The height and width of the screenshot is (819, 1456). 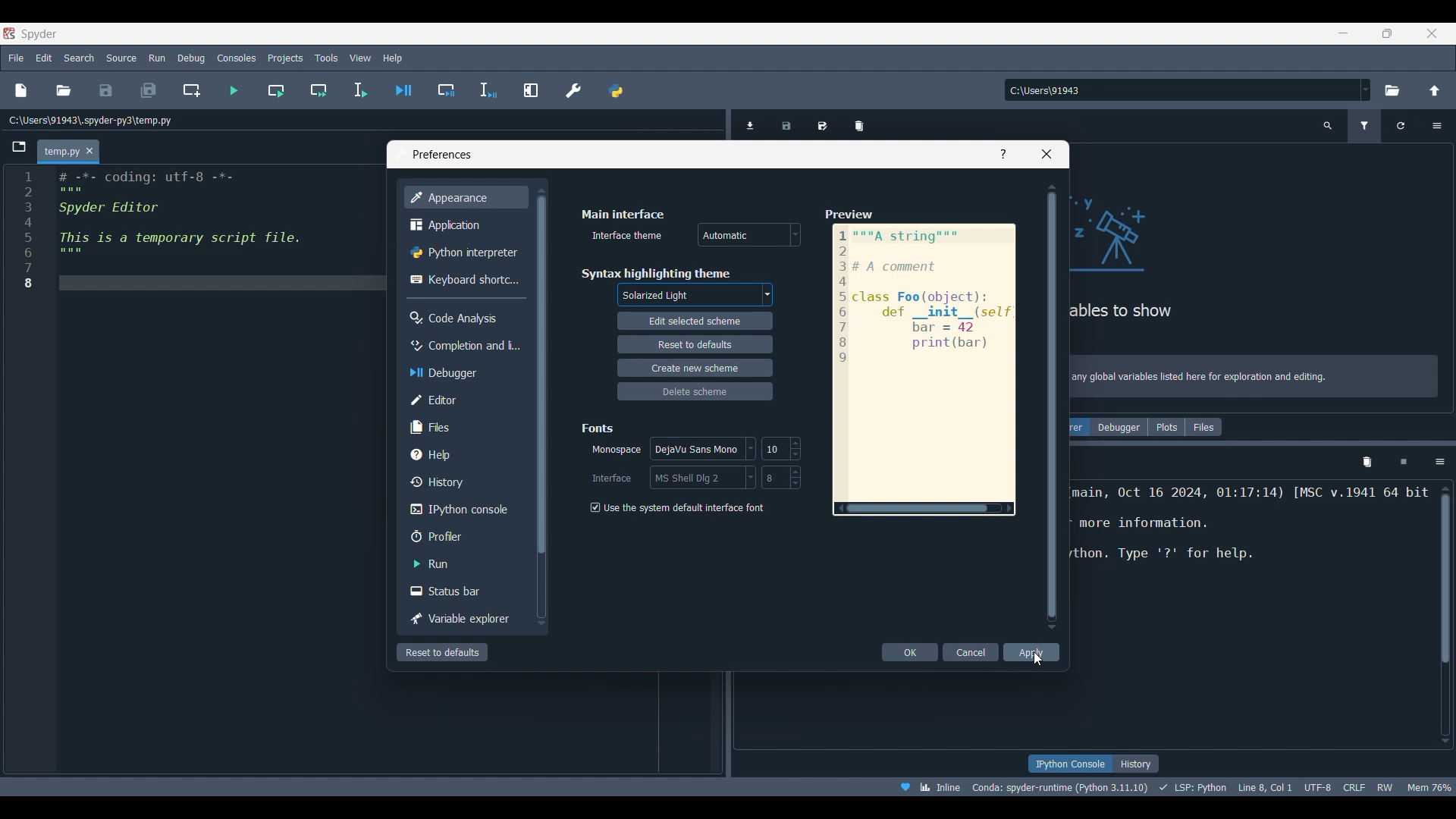 I want to click on Consoles menu, so click(x=236, y=58).